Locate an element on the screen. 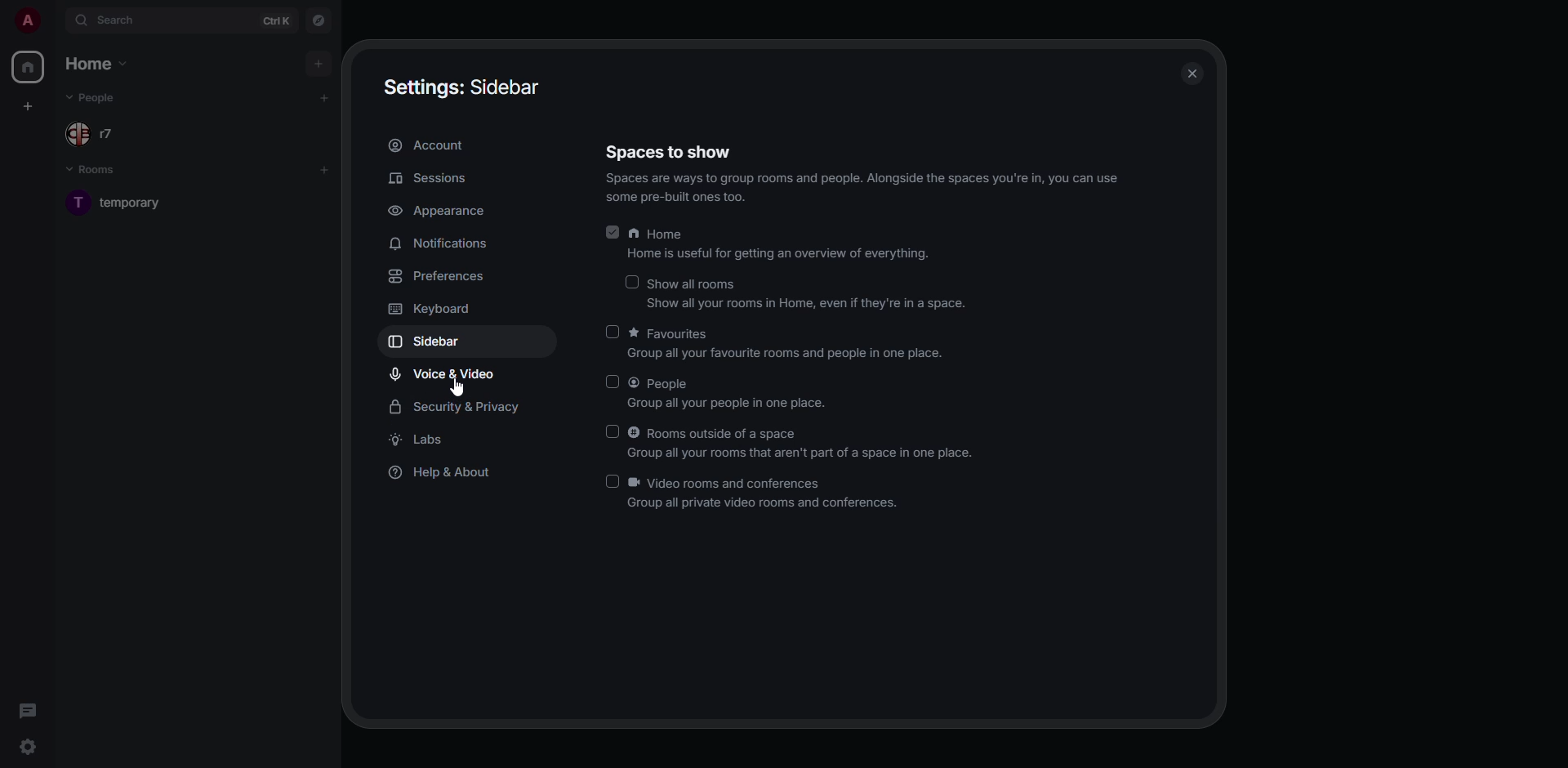  people is located at coordinates (98, 97).